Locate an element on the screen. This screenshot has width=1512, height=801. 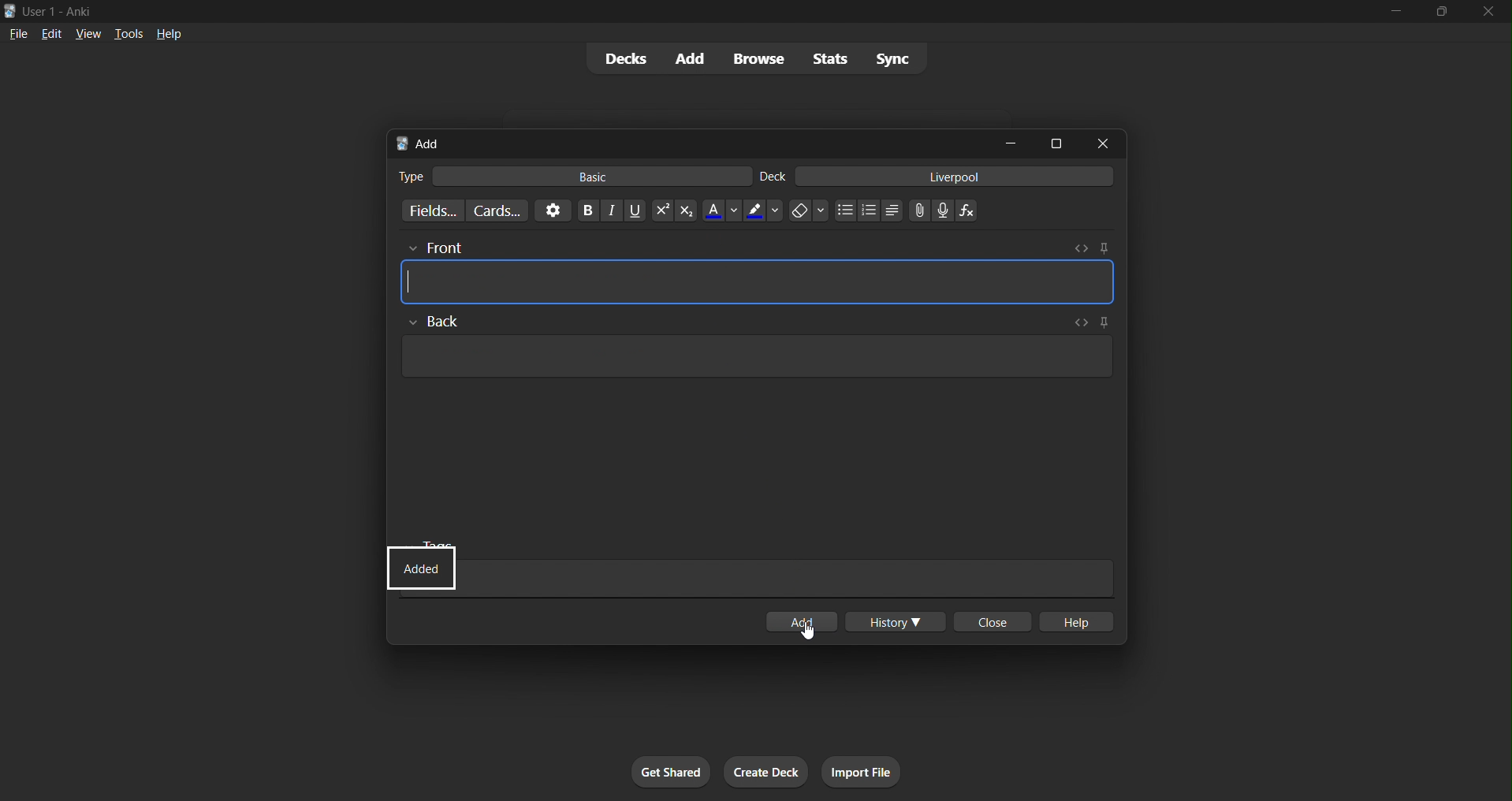
decks is located at coordinates (620, 58).